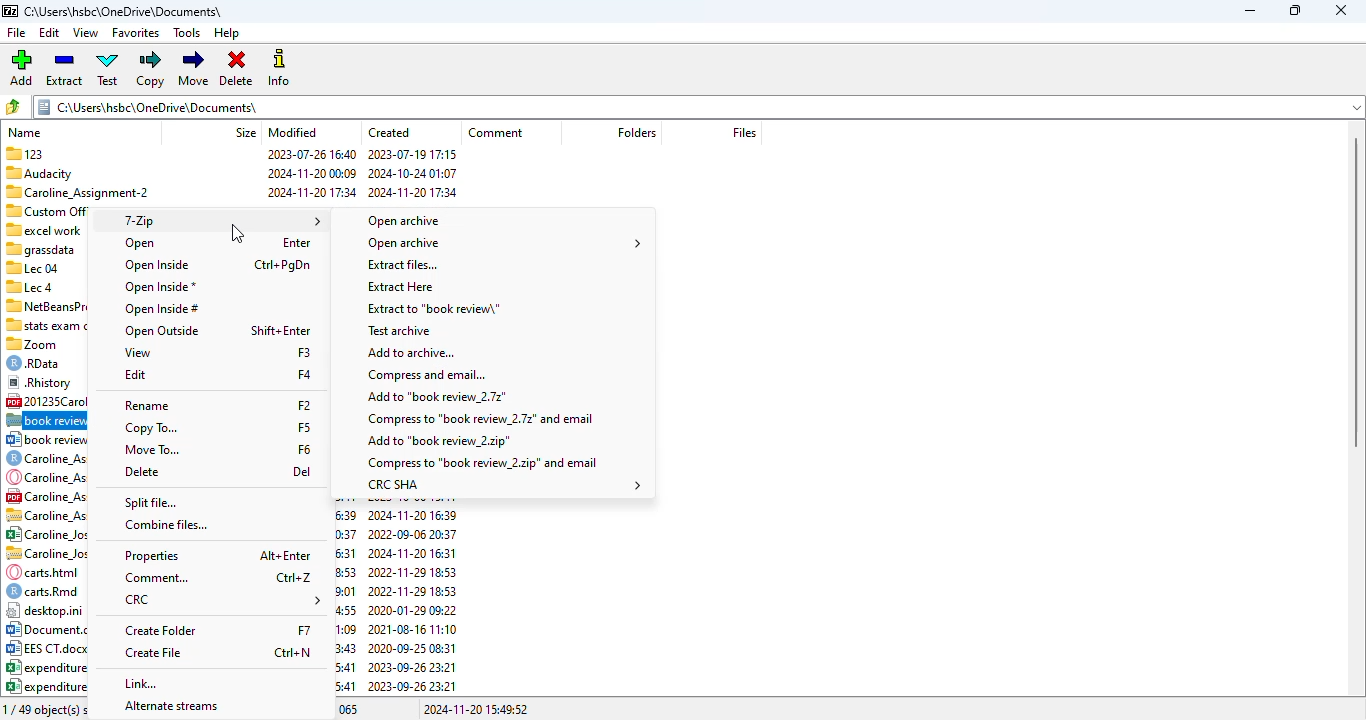  Describe the element at coordinates (126, 11) in the screenshot. I see `folder` at that location.